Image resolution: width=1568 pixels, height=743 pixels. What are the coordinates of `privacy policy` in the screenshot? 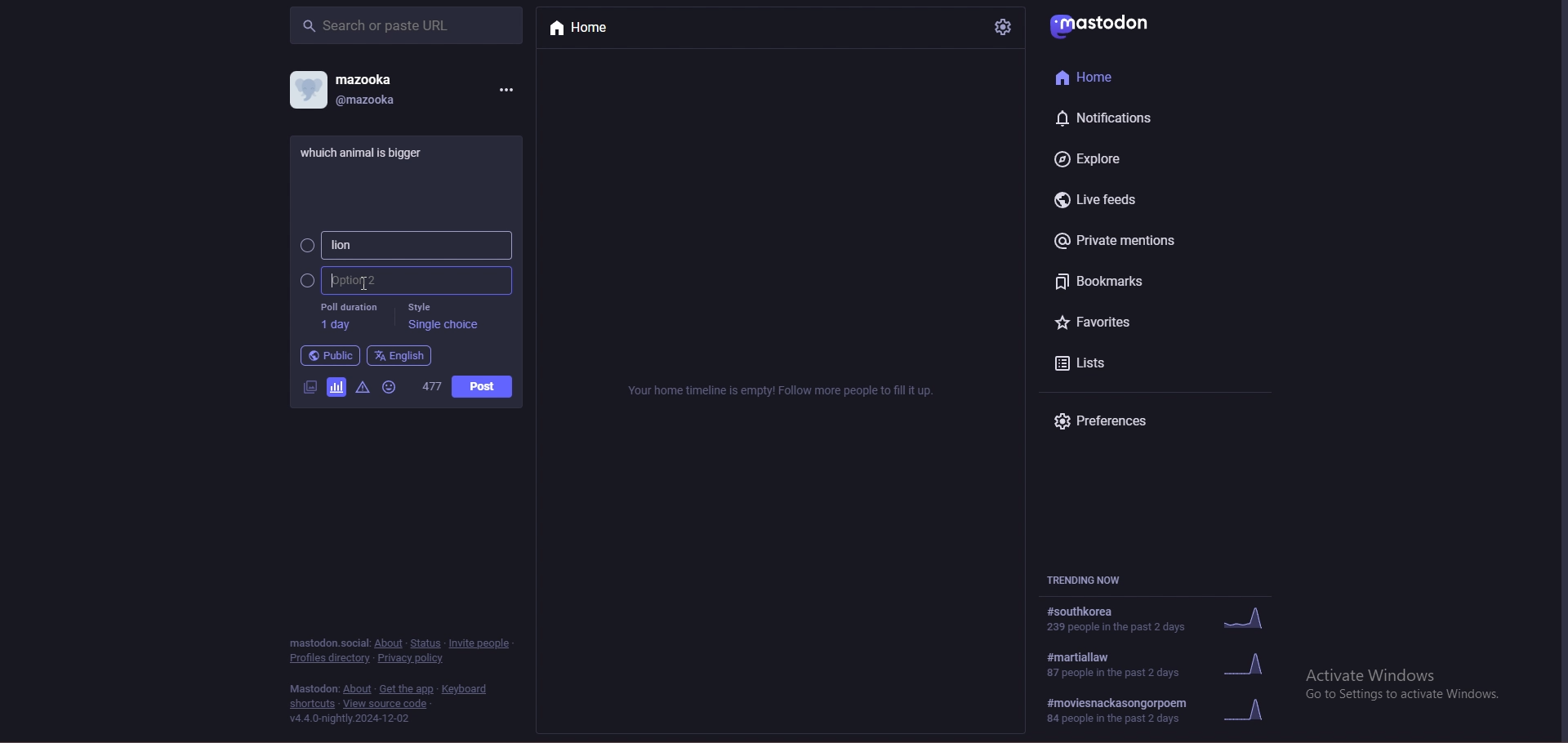 It's located at (413, 658).